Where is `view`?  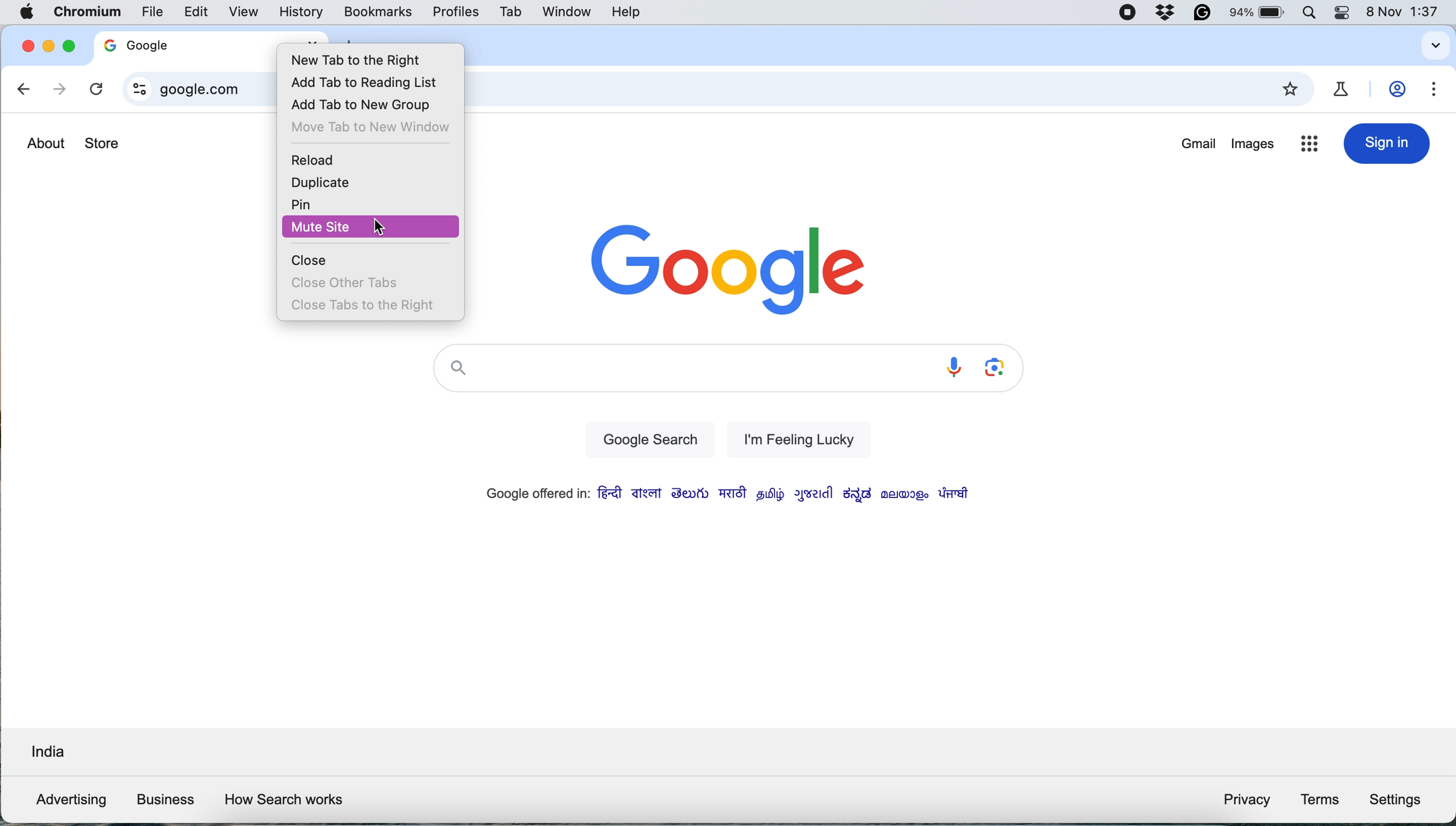
view is located at coordinates (249, 11).